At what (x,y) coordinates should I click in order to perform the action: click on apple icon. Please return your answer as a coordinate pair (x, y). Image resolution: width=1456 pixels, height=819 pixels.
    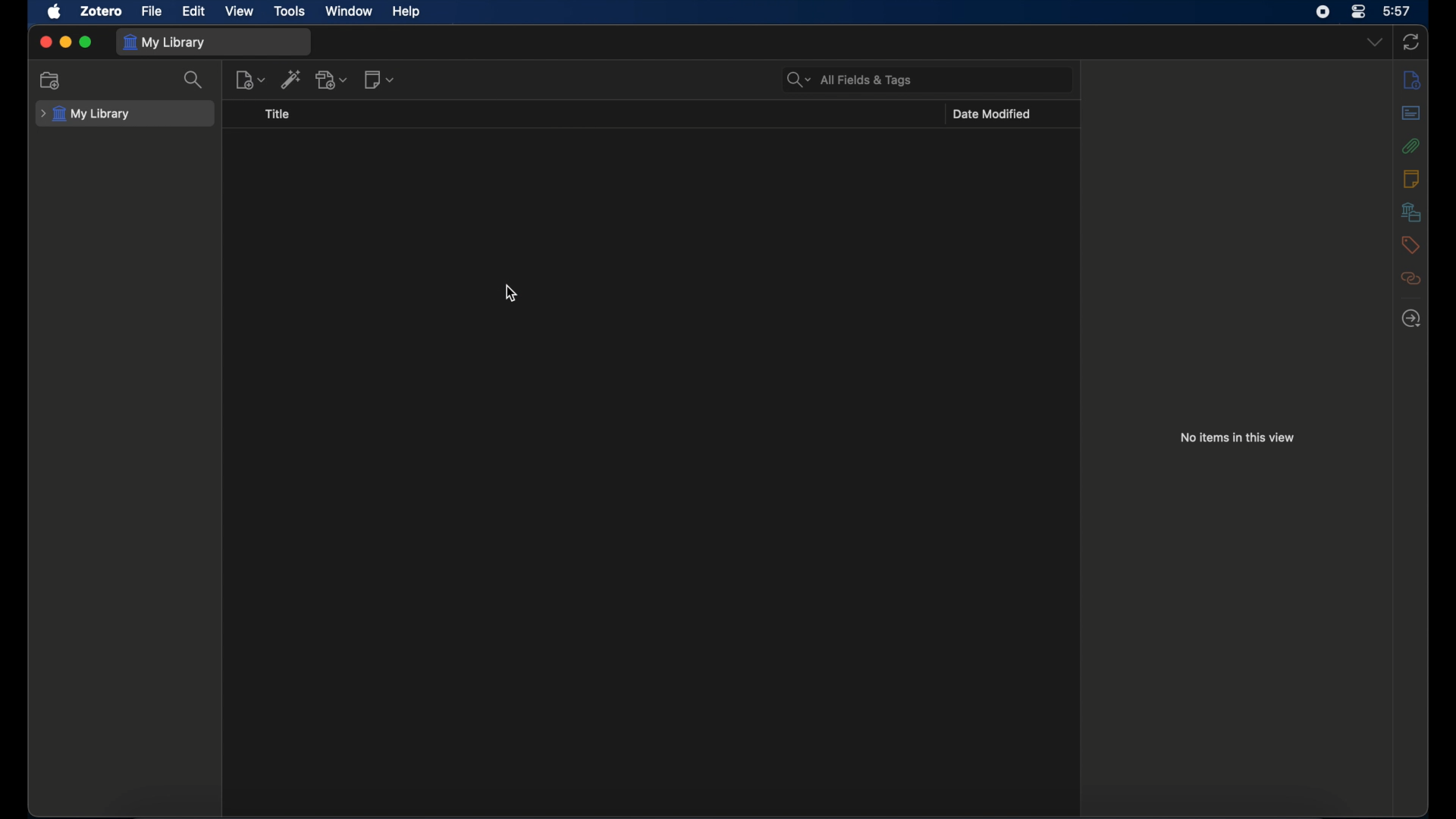
    Looking at the image, I should click on (55, 12).